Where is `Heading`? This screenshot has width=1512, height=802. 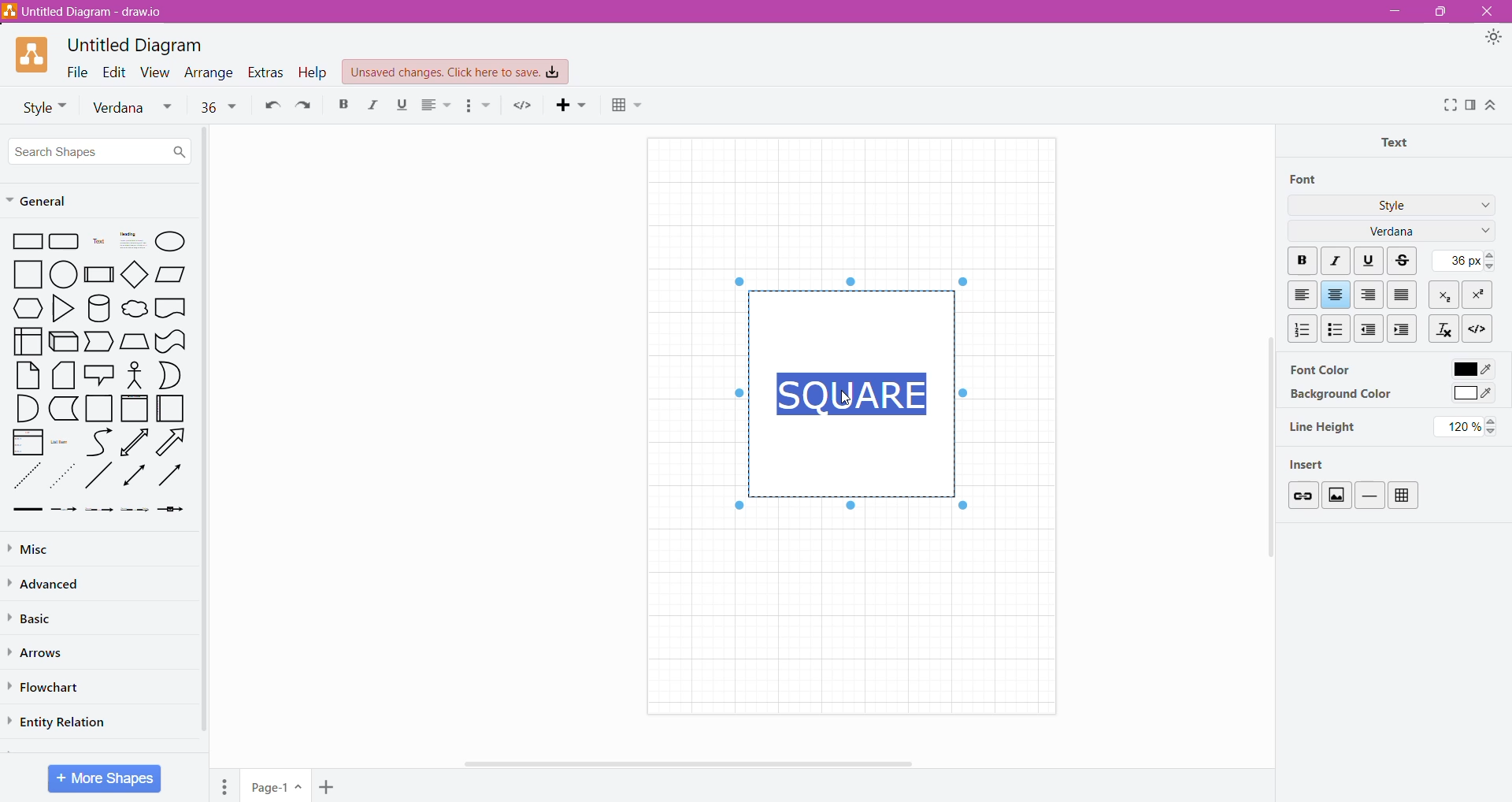 Heading is located at coordinates (132, 240).